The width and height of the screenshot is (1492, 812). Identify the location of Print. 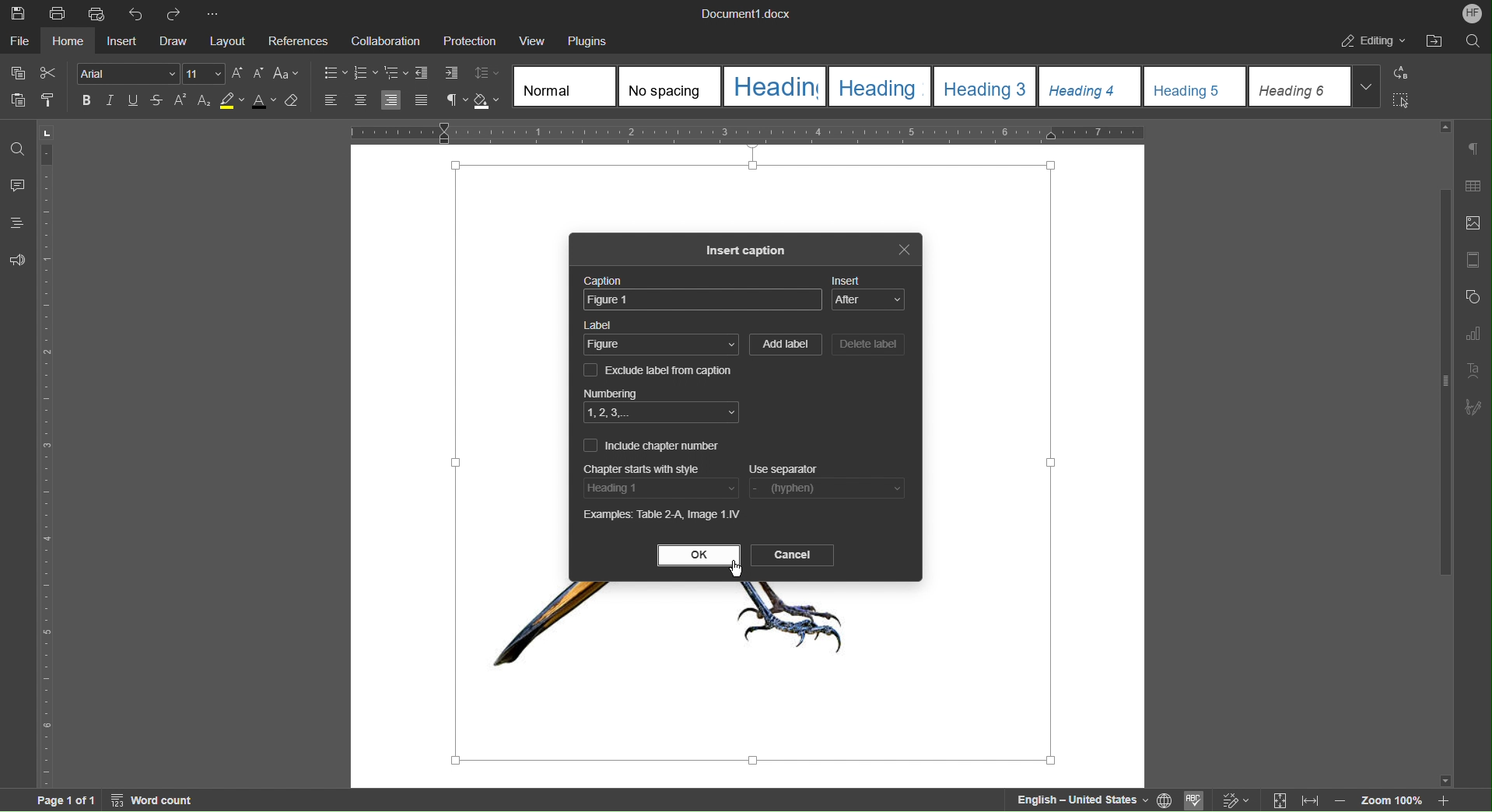
(58, 12).